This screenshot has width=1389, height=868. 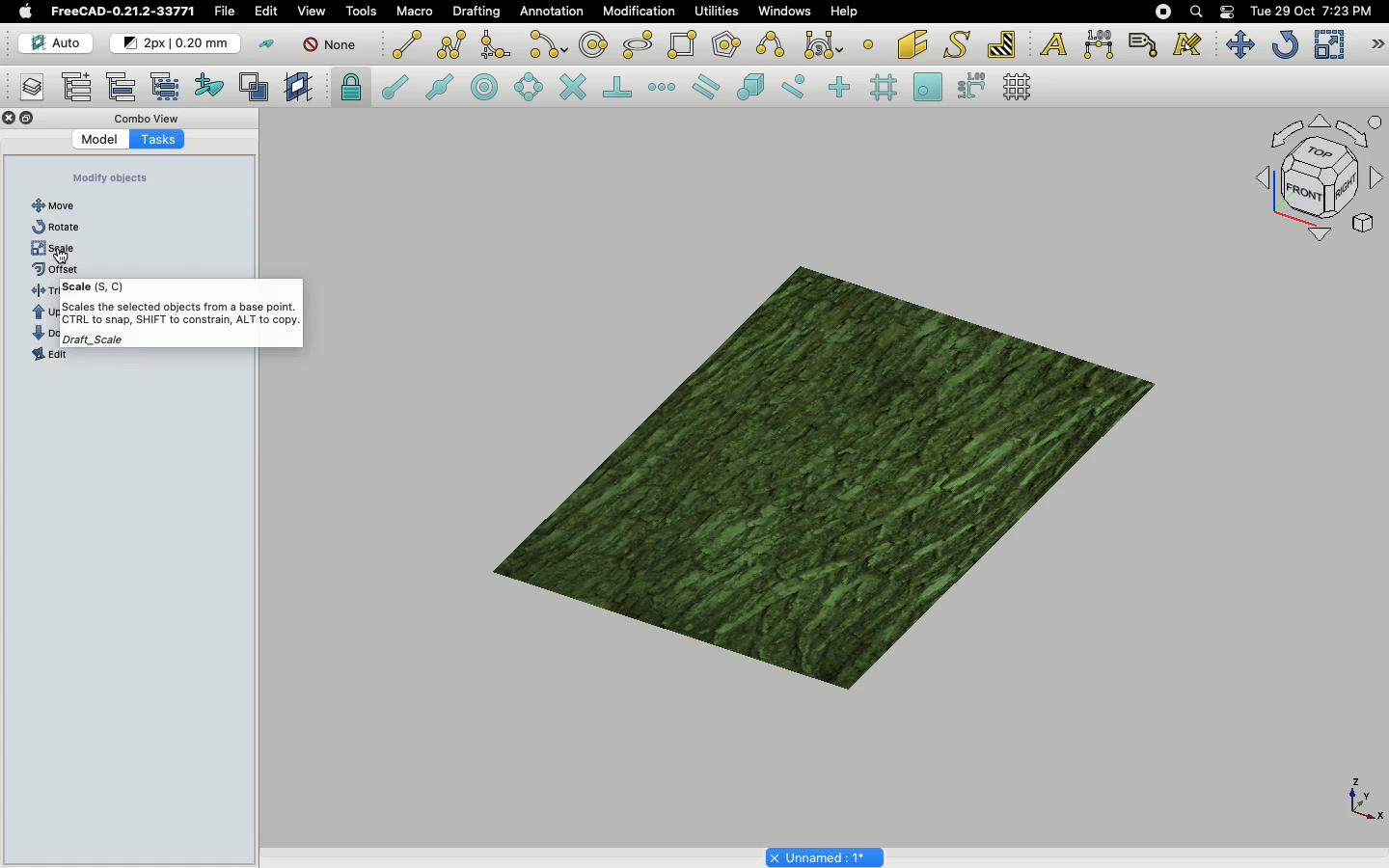 I want to click on Hatch, so click(x=1003, y=42).